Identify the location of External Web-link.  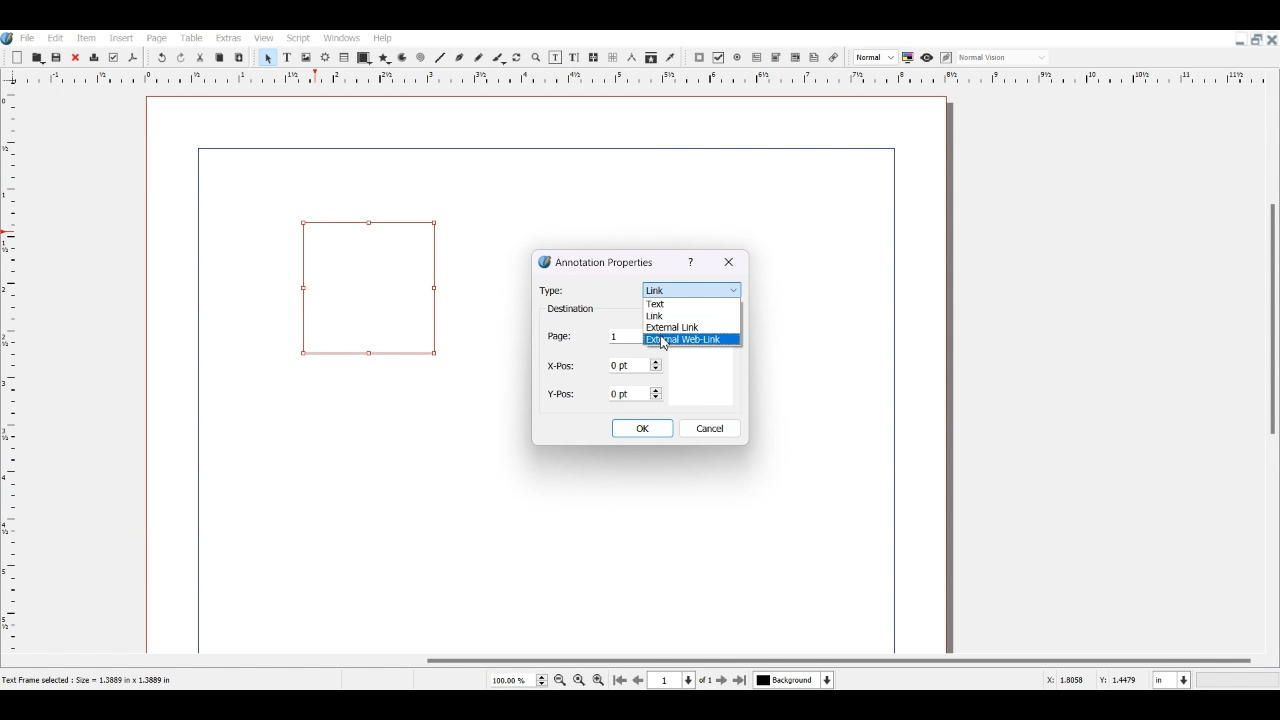
(693, 340).